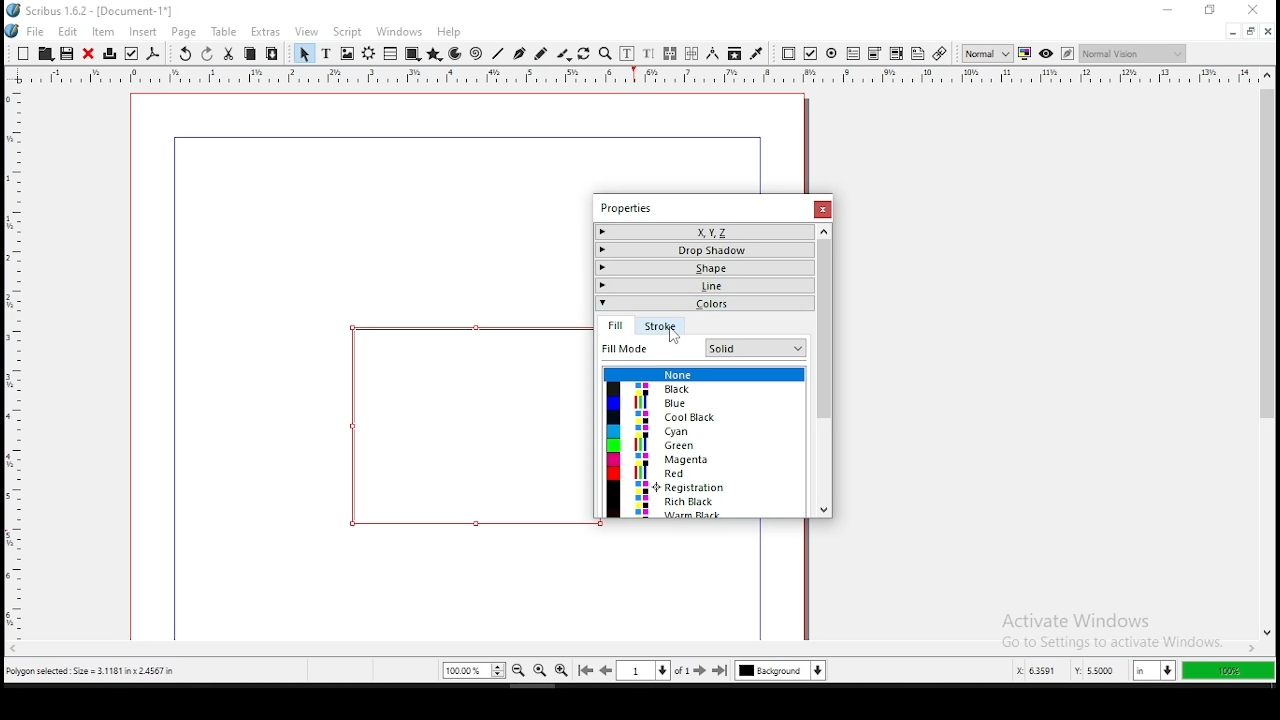 The height and width of the screenshot is (720, 1280). What do you see at coordinates (705, 431) in the screenshot?
I see `cyan` at bounding box center [705, 431].